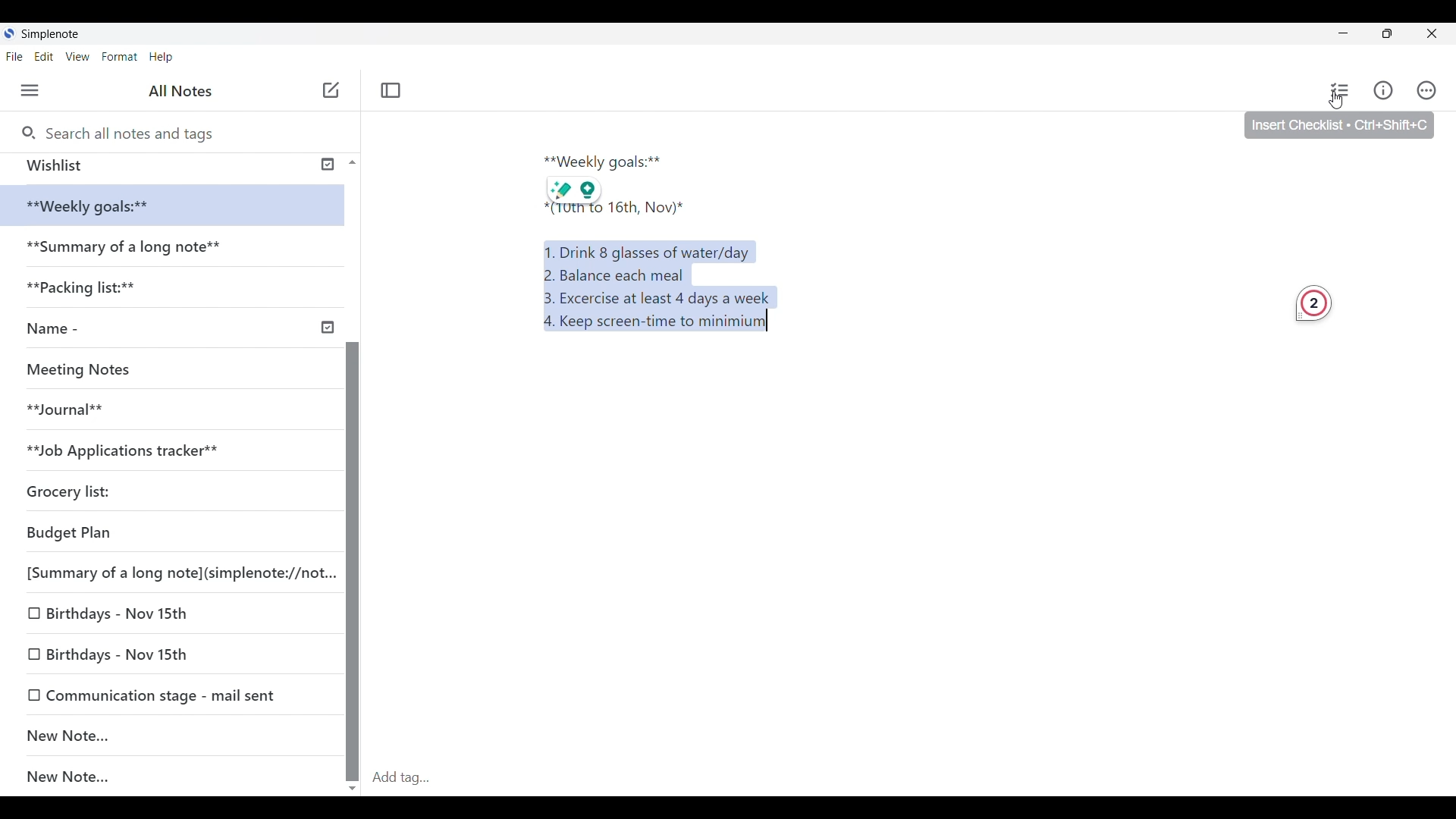 The image size is (1456, 819). What do you see at coordinates (177, 329) in the screenshot?
I see `Name` at bounding box center [177, 329].